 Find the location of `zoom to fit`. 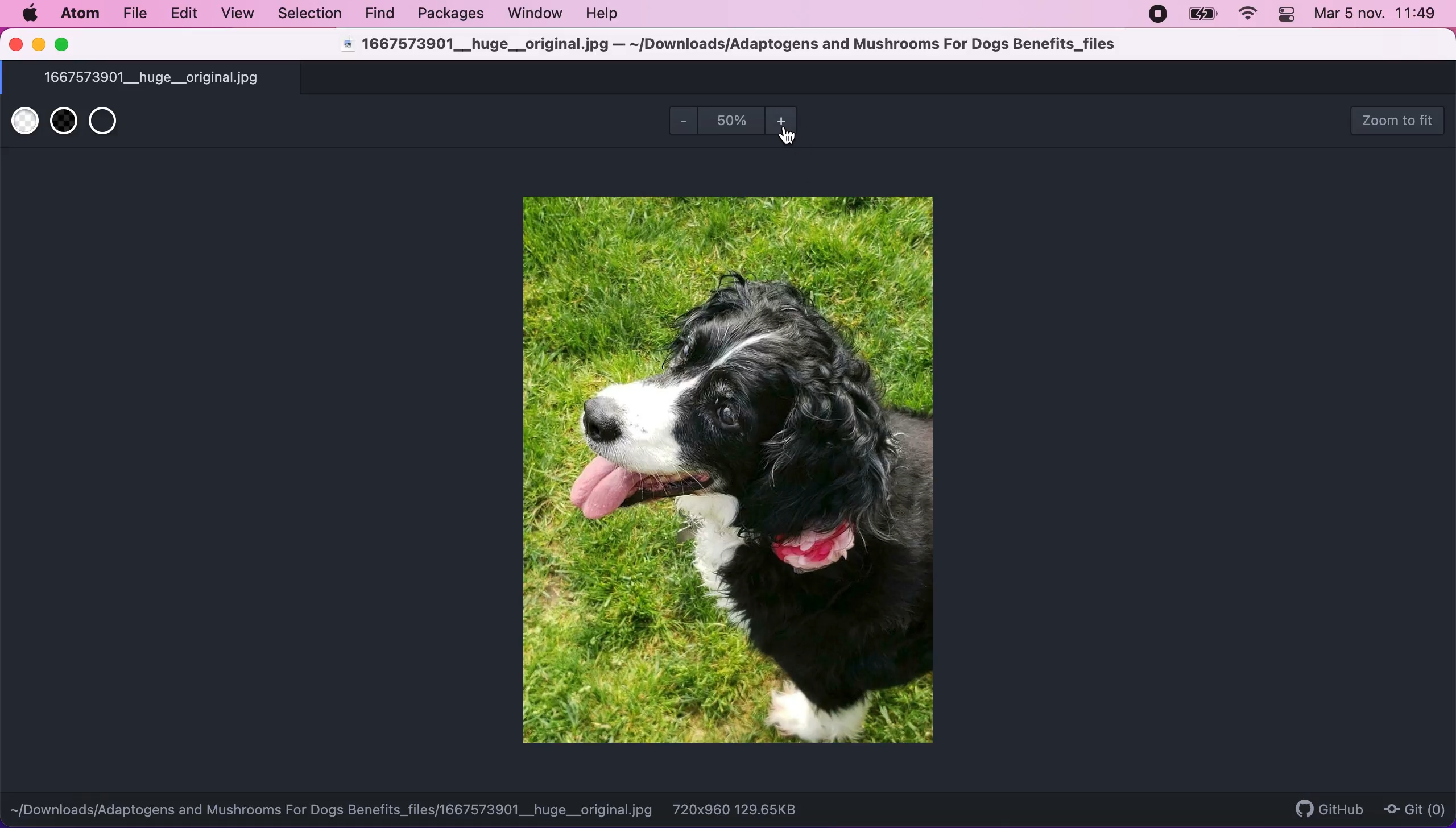

zoom to fit is located at coordinates (1399, 120).